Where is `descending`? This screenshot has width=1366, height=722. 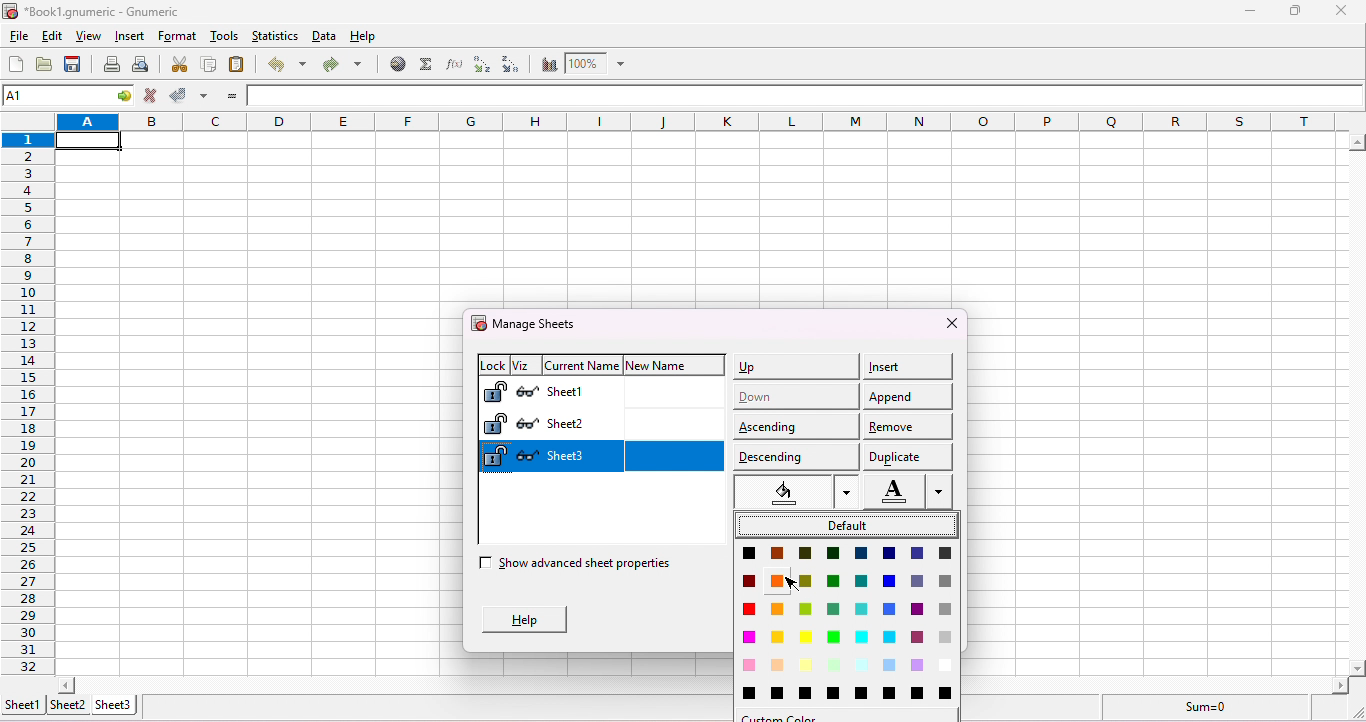
descending is located at coordinates (794, 454).